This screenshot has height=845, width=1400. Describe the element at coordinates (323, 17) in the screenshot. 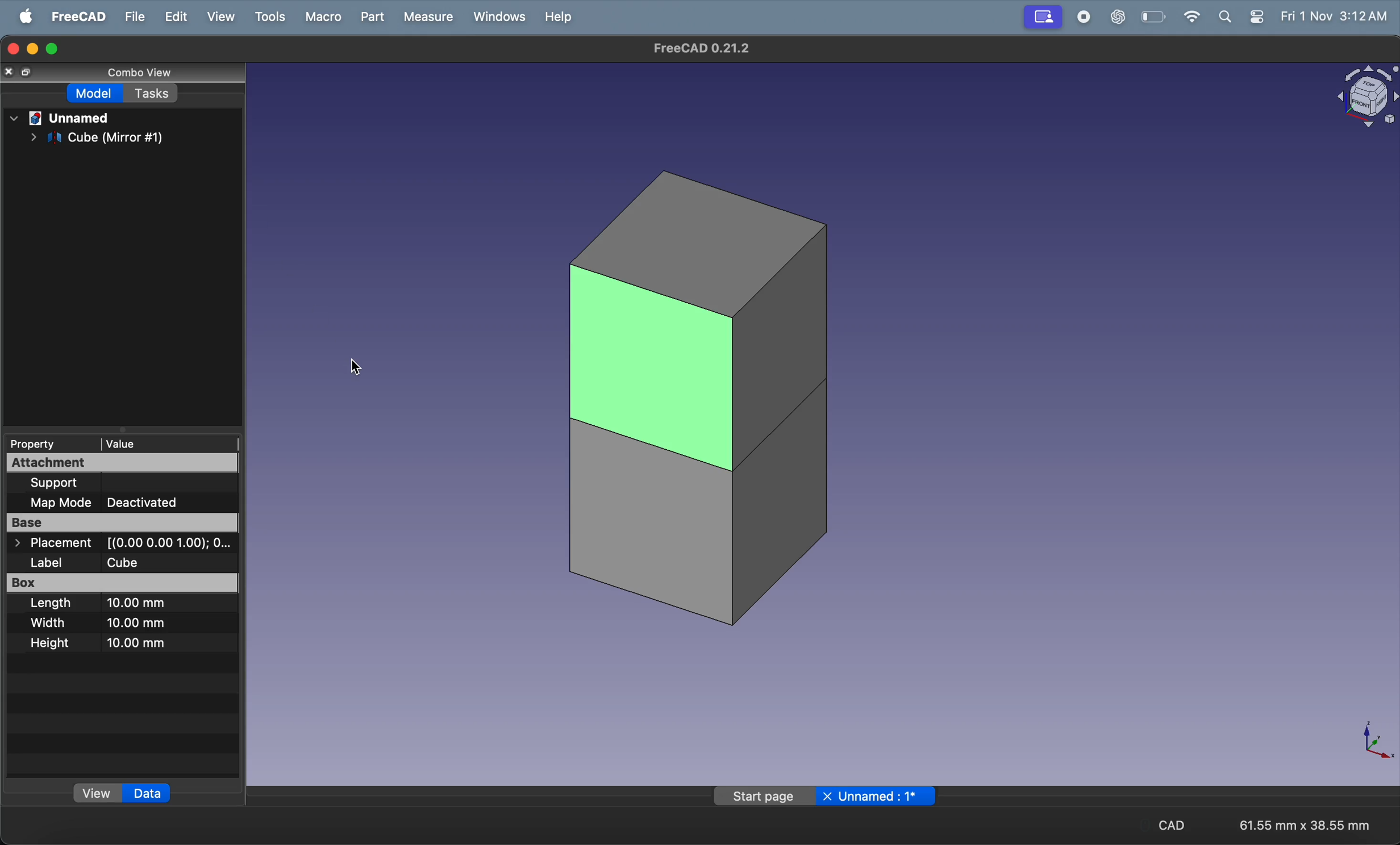

I see `marco` at that location.